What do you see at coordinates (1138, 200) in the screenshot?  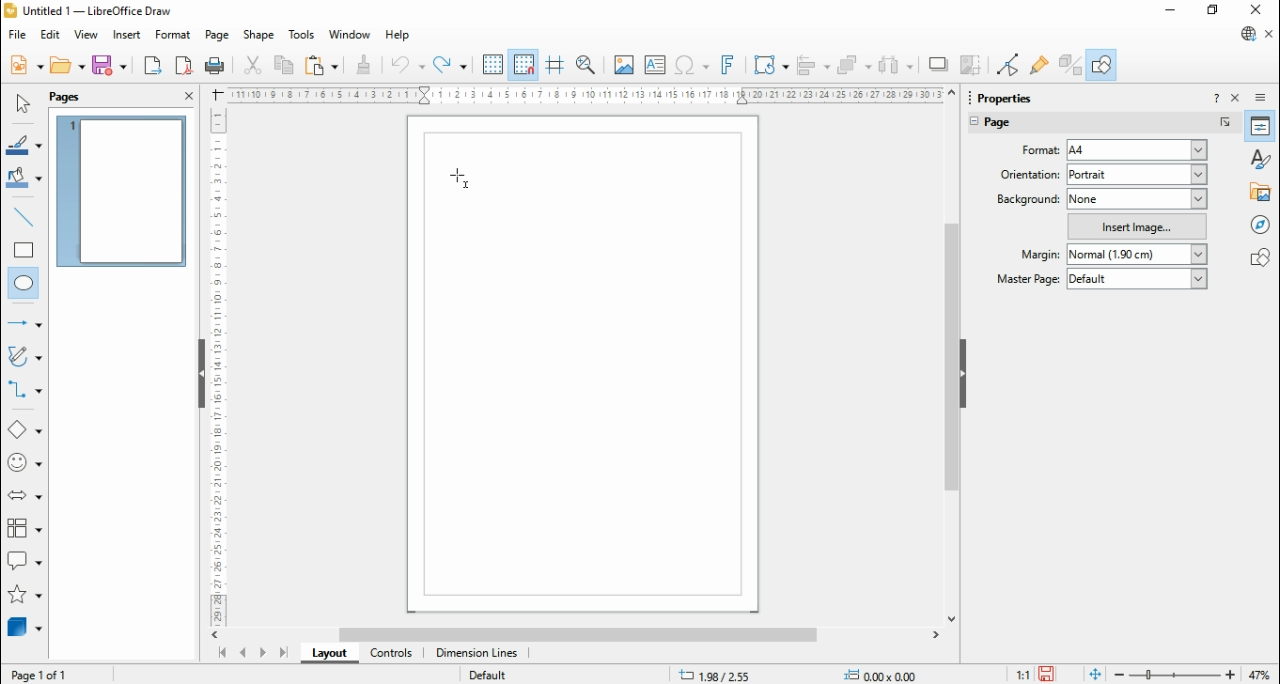 I see `none ` at bounding box center [1138, 200].